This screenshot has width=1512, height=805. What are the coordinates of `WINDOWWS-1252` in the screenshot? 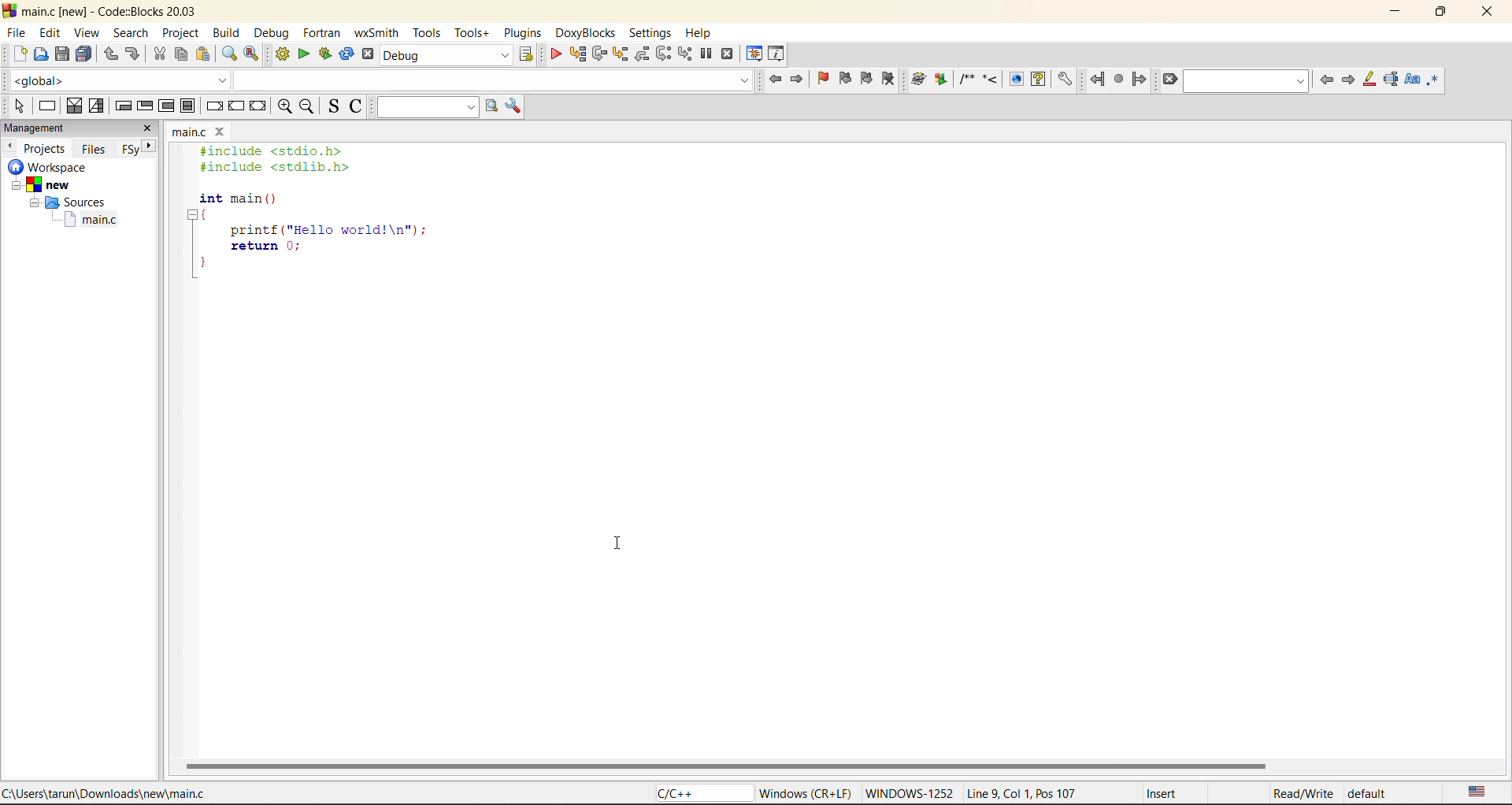 It's located at (912, 792).